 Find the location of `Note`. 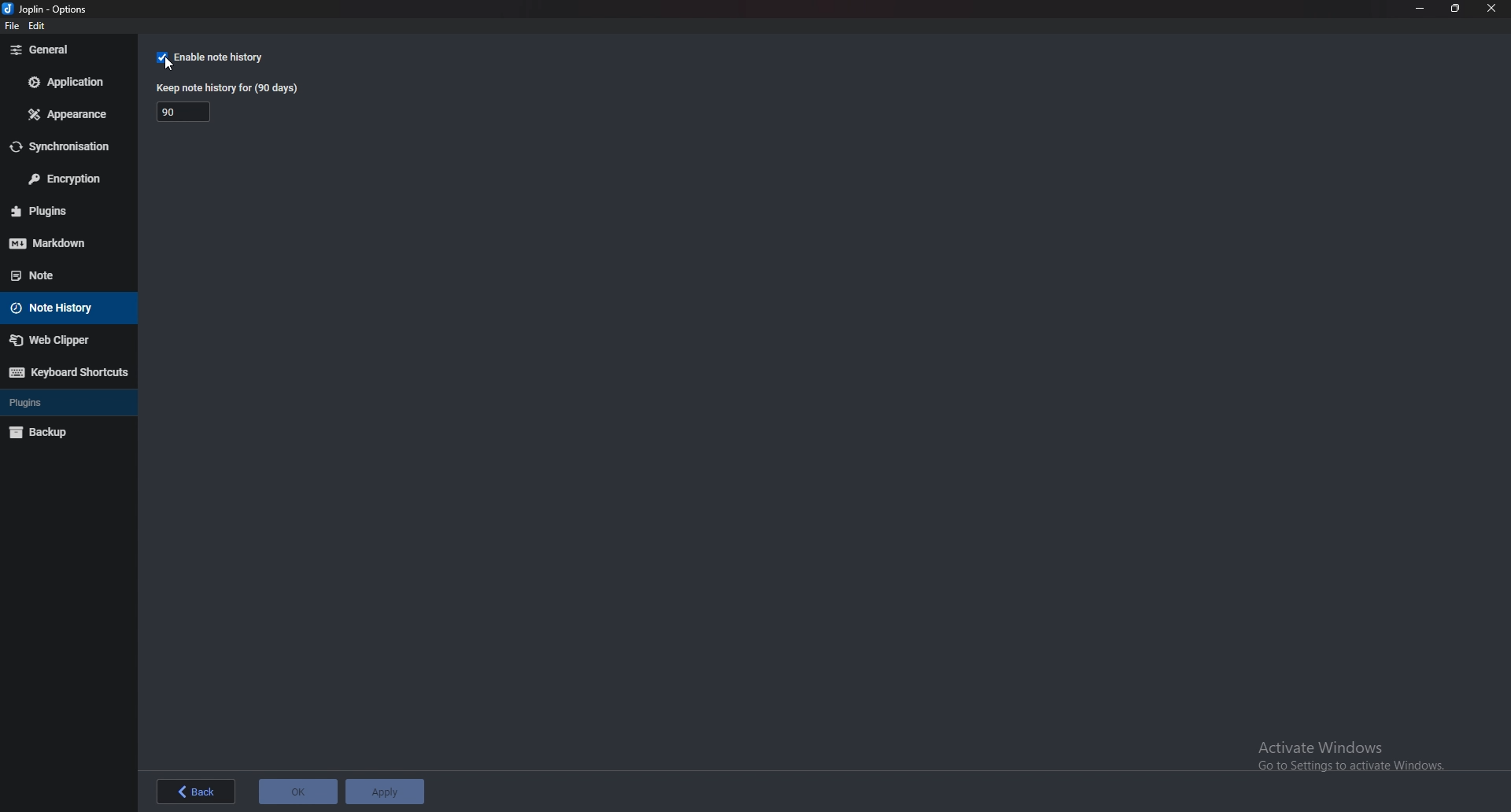

Note is located at coordinates (60, 274).